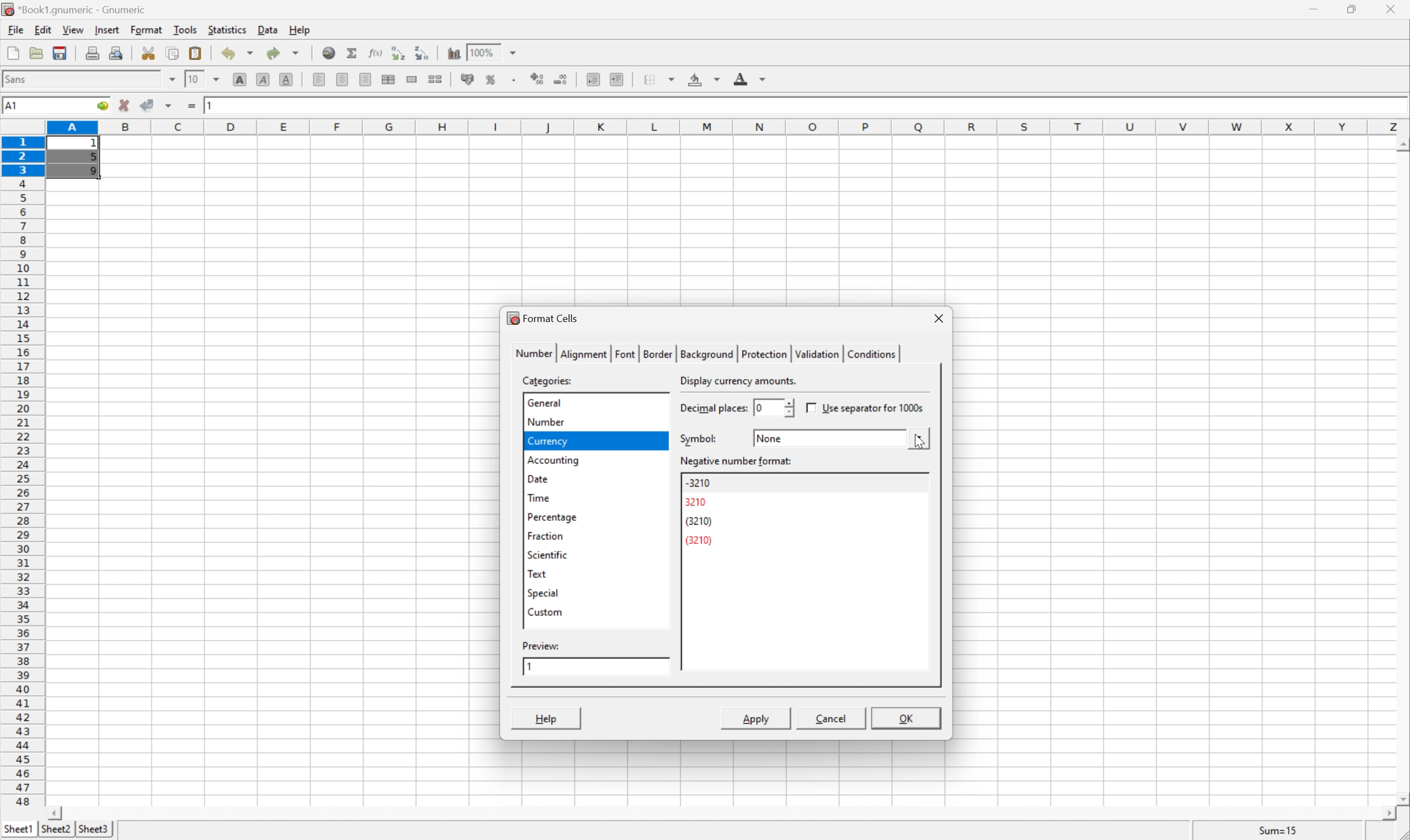 The width and height of the screenshot is (1410, 840). What do you see at coordinates (1397, 9) in the screenshot?
I see `close` at bounding box center [1397, 9].